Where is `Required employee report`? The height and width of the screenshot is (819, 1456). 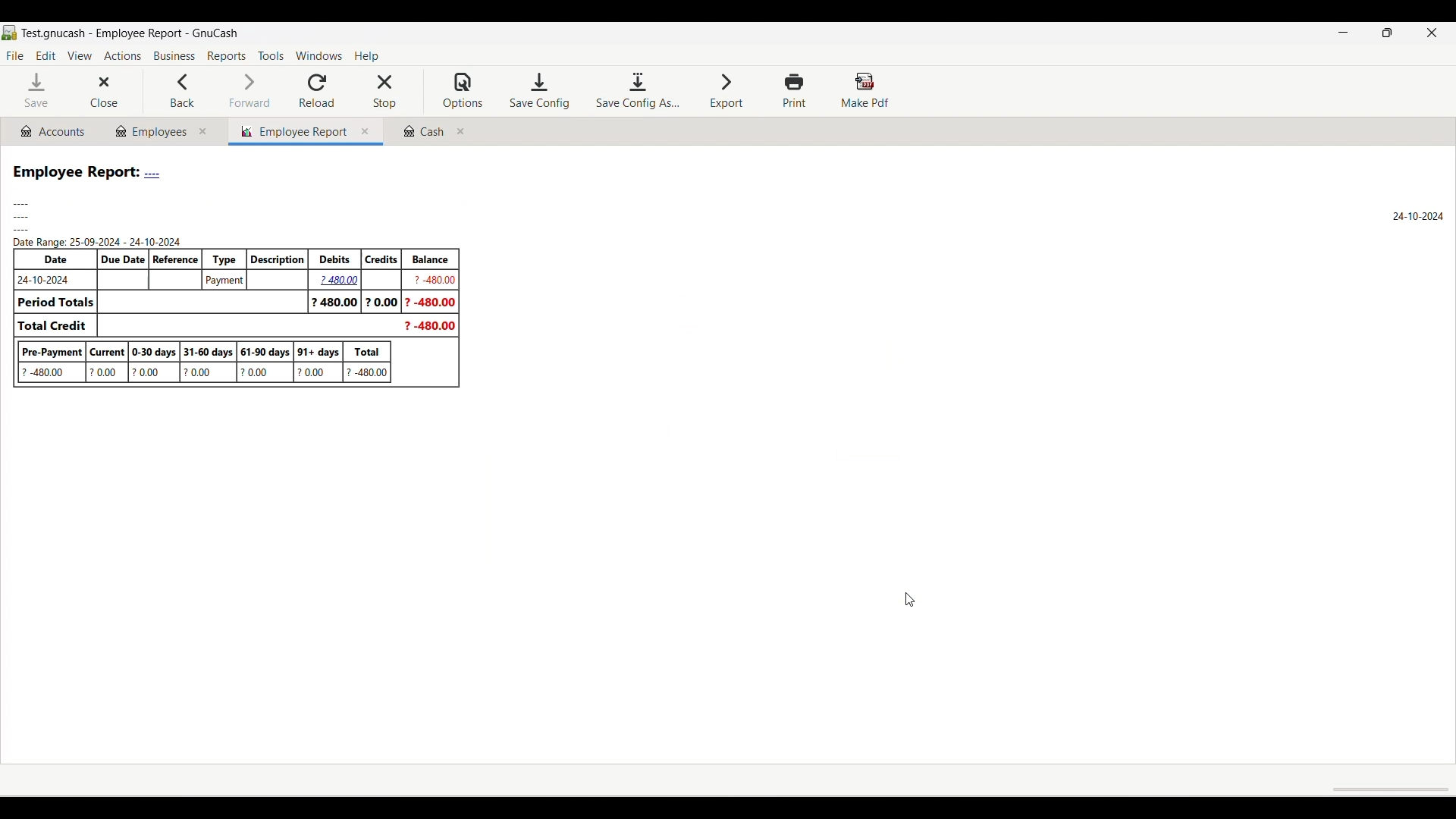
Required employee report is located at coordinates (236, 275).